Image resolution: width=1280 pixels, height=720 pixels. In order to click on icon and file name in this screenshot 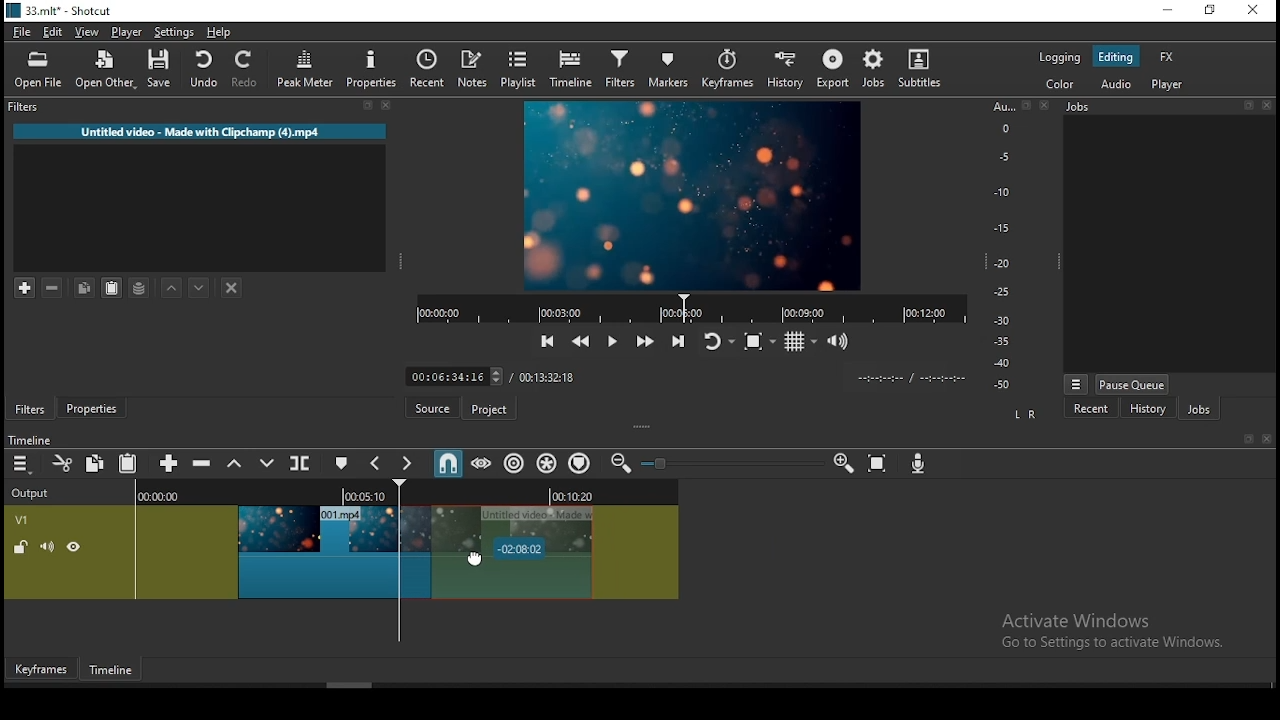, I will do `click(62, 13)`.